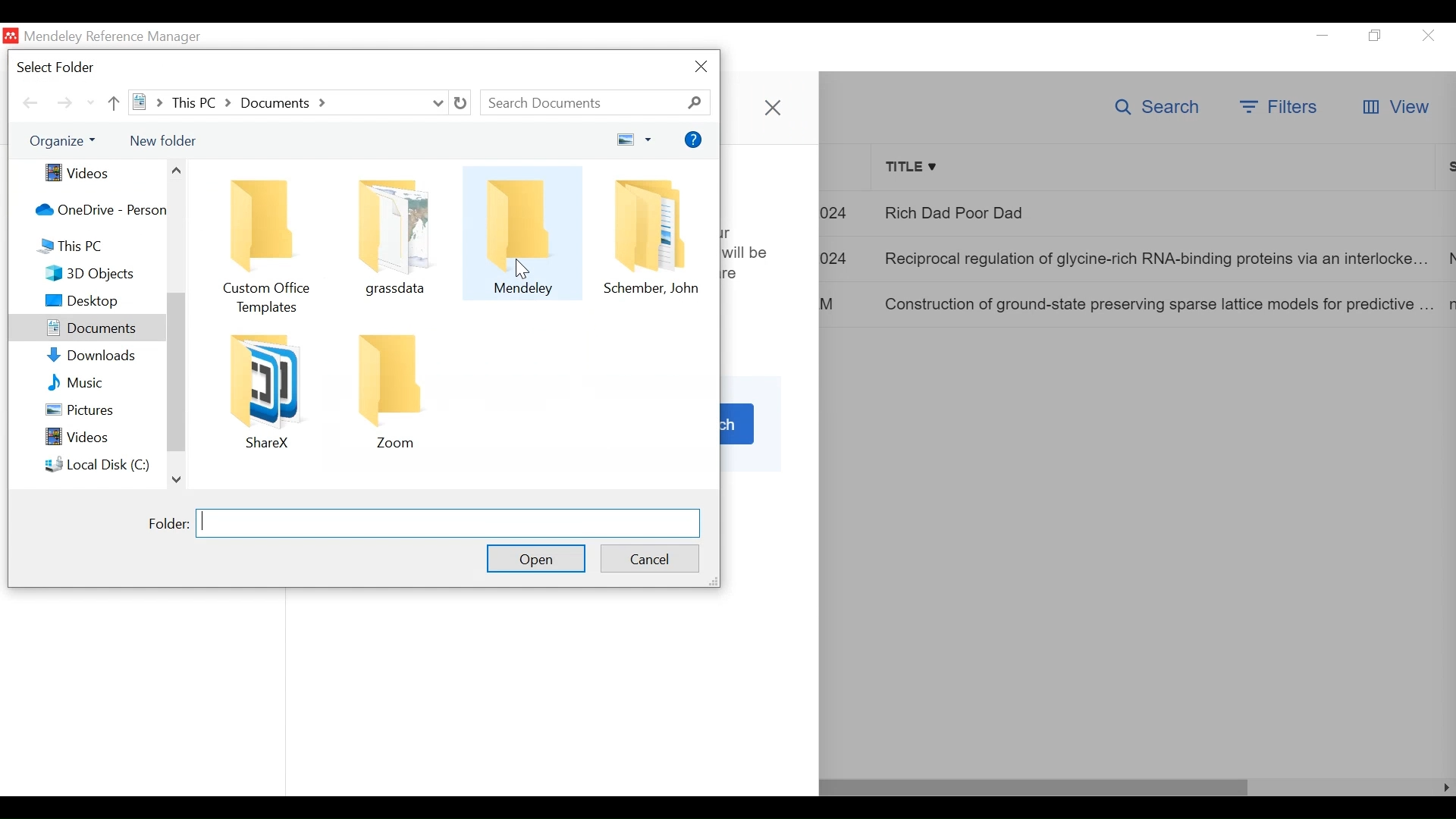 The height and width of the screenshot is (819, 1456). What do you see at coordinates (392, 234) in the screenshot?
I see `Folder` at bounding box center [392, 234].